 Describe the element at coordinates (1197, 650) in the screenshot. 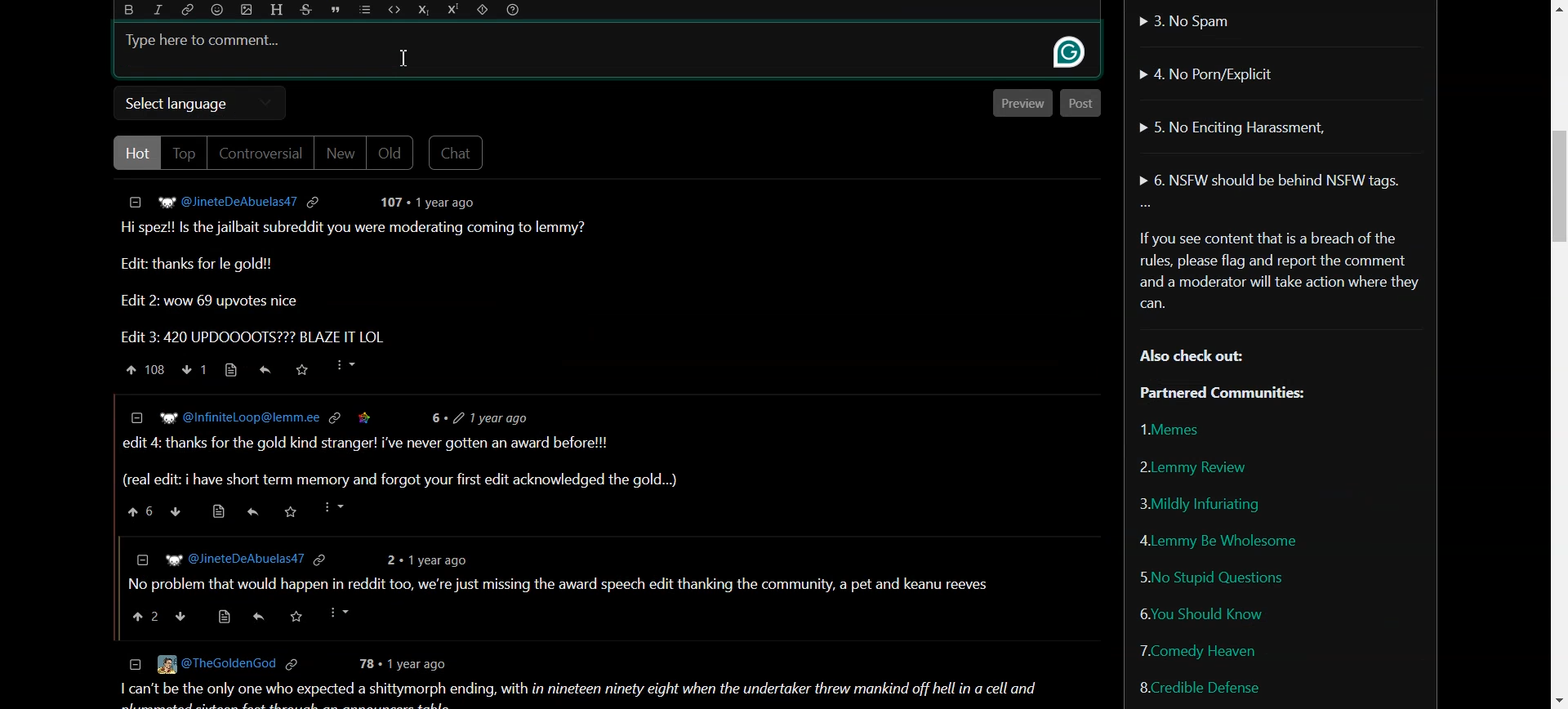

I see `Comedy Heaven` at that location.